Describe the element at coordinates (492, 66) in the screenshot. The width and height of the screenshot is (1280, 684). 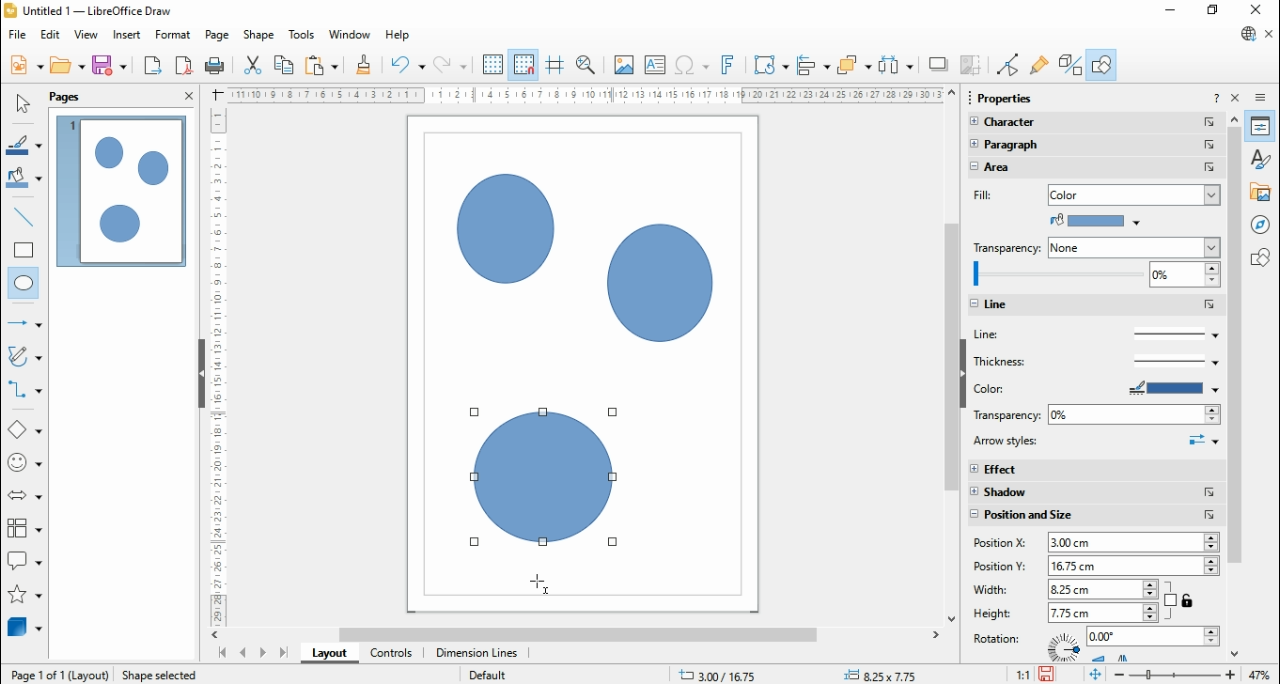
I see `display grid` at that location.